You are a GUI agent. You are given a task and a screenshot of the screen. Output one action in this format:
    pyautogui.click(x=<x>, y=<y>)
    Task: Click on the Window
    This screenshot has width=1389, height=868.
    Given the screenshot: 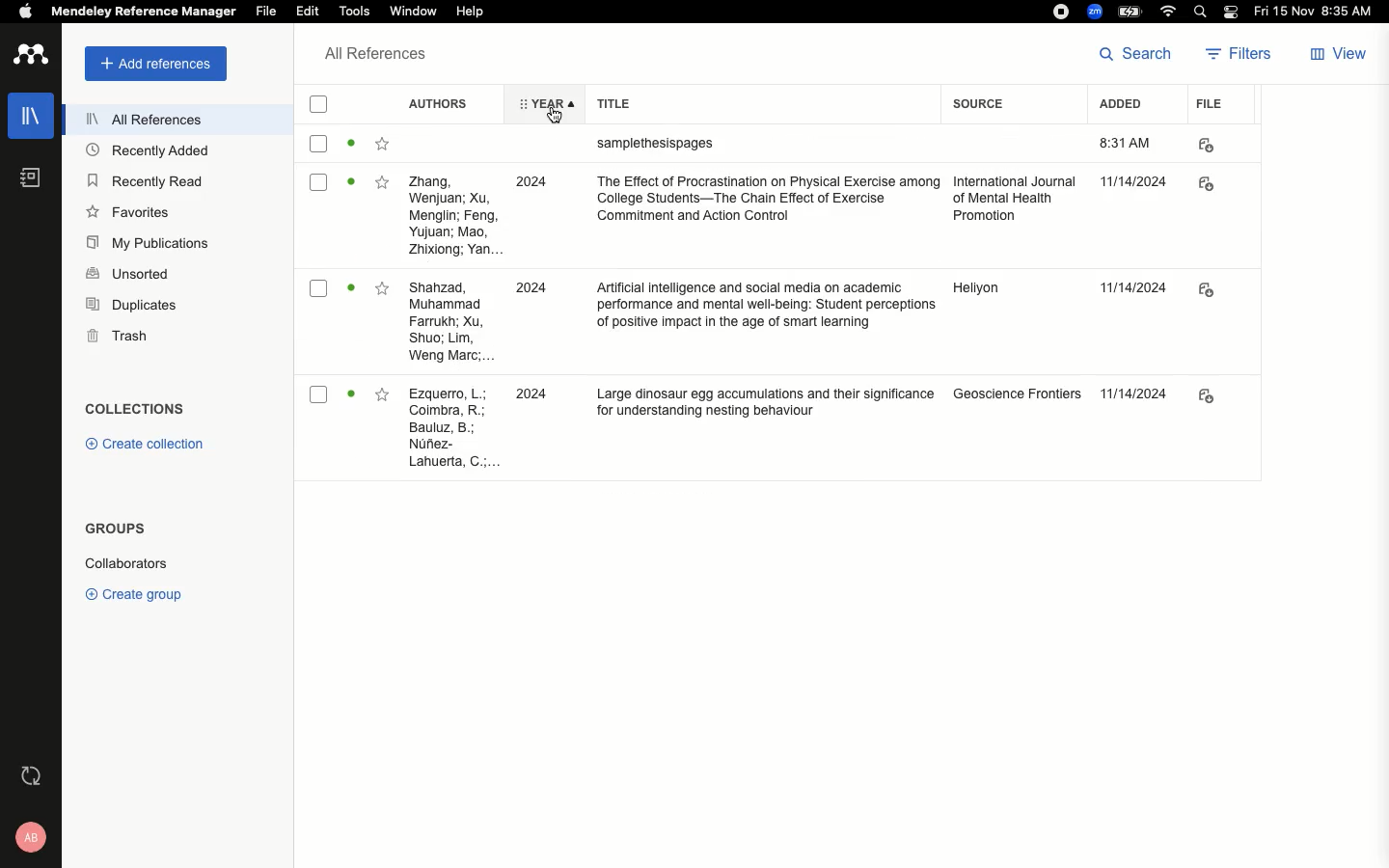 What is the action you would take?
    pyautogui.click(x=415, y=12)
    